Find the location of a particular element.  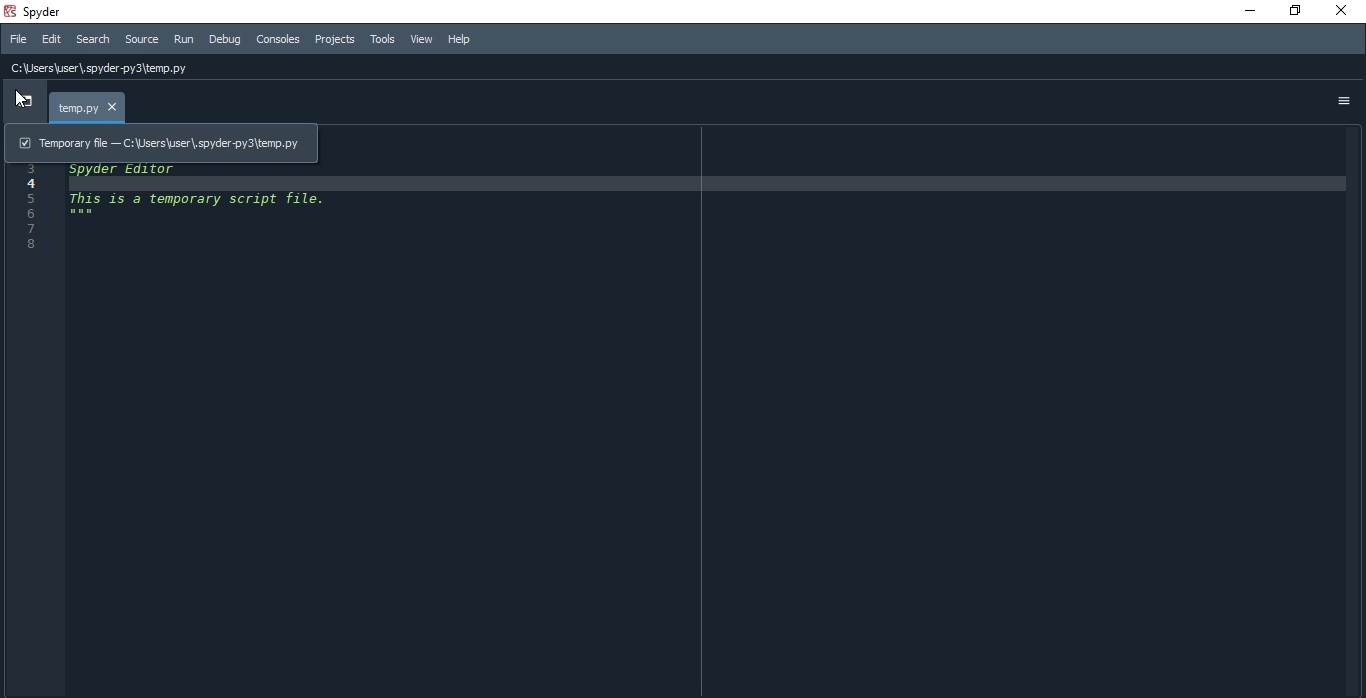

Projects is located at coordinates (335, 39).